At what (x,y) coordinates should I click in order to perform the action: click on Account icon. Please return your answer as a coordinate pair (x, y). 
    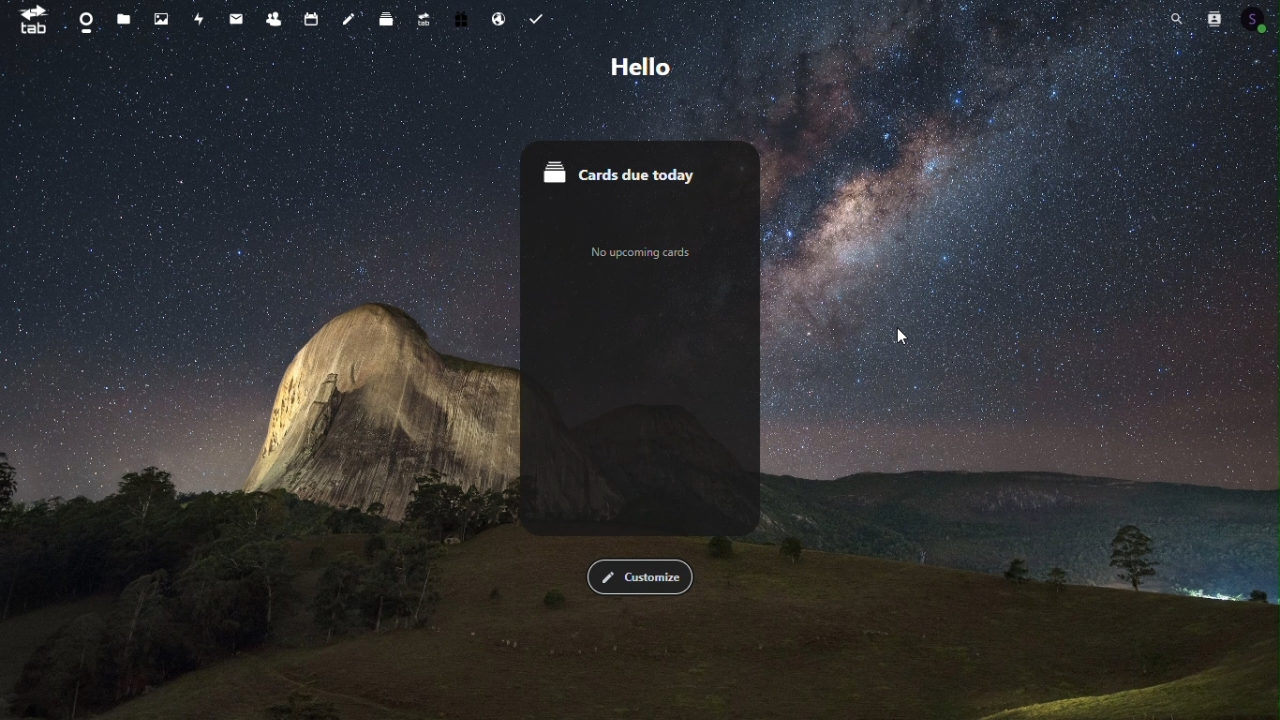
    Looking at the image, I should click on (1260, 20).